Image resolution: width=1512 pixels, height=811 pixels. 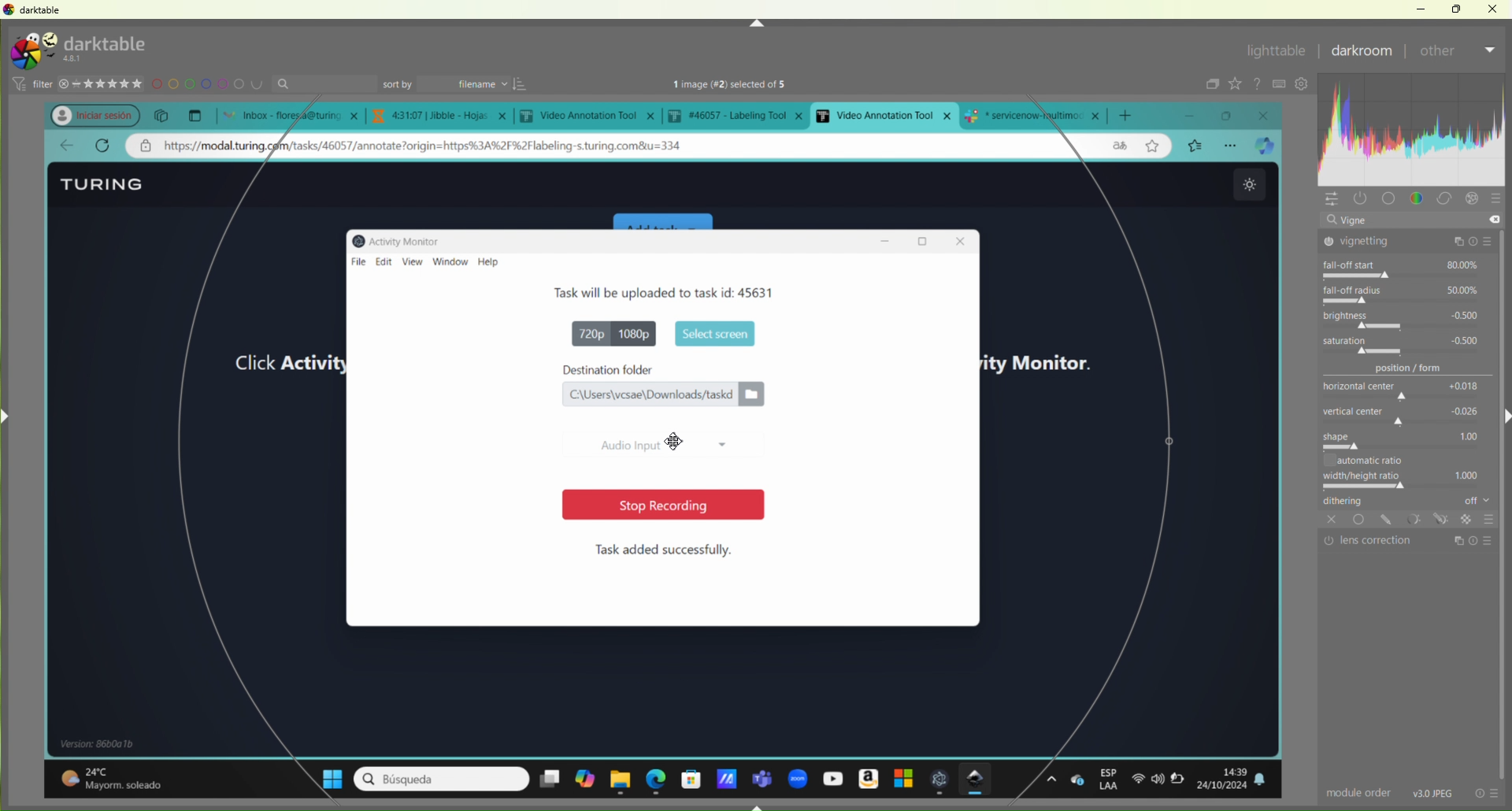 What do you see at coordinates (106, 183) in the screenshot?
I see `Turing` at bounding box center [106, 183].